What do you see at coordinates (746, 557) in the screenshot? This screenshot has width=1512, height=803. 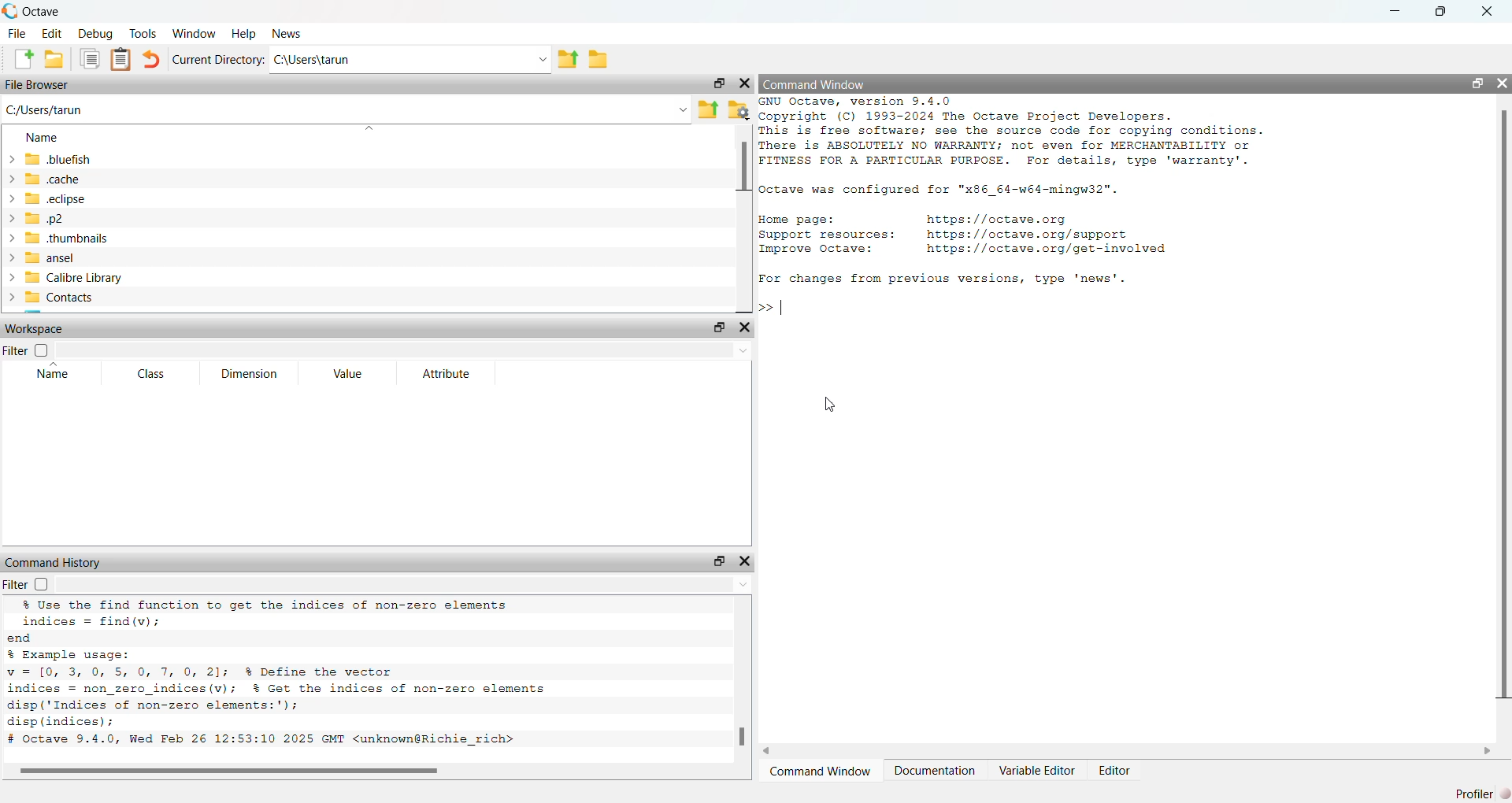 I see `close` at bounding box center [746, 557].